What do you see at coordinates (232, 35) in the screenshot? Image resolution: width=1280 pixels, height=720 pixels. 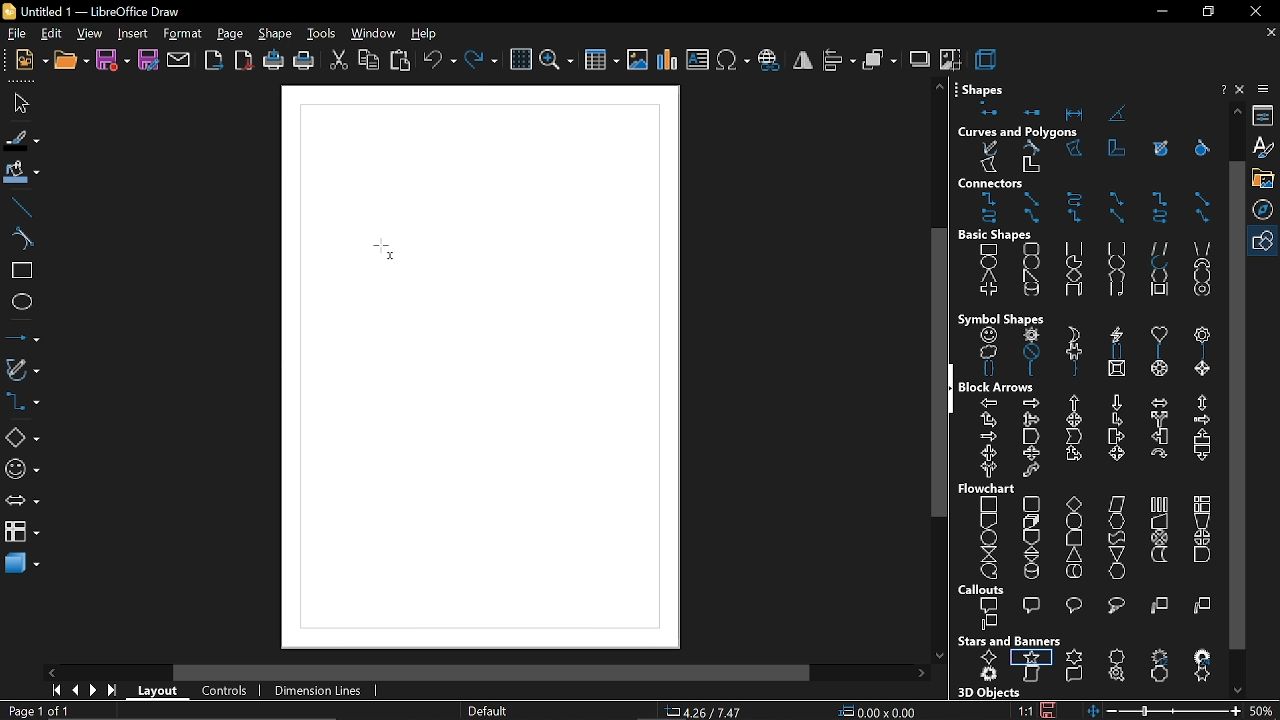 I see `page` at bounding box center [232, 35].